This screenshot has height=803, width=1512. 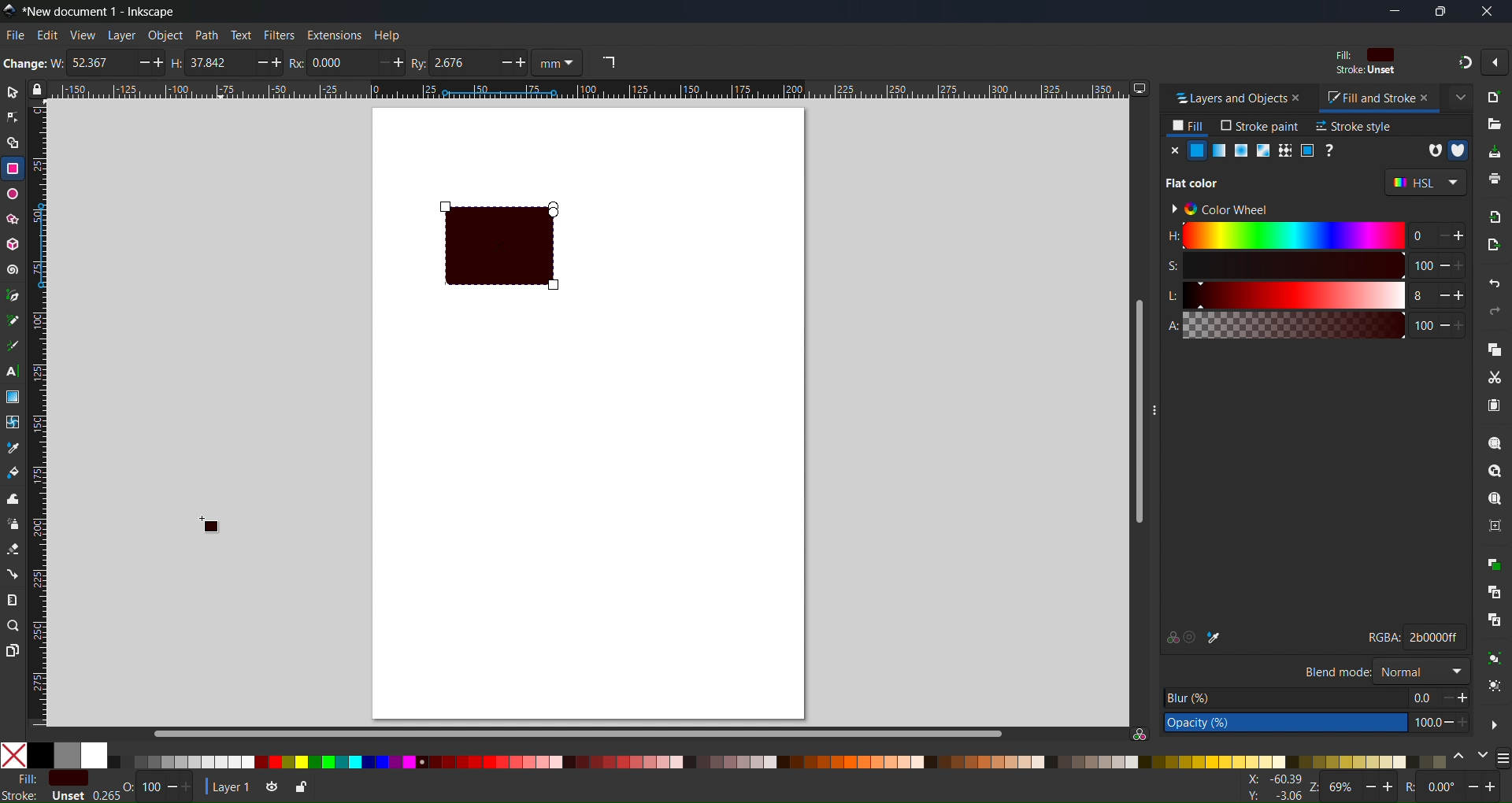 What do you see at coordinates (1376, 638) in the screenshot?
I see `RGBA` at bounding box center [1376, 638].